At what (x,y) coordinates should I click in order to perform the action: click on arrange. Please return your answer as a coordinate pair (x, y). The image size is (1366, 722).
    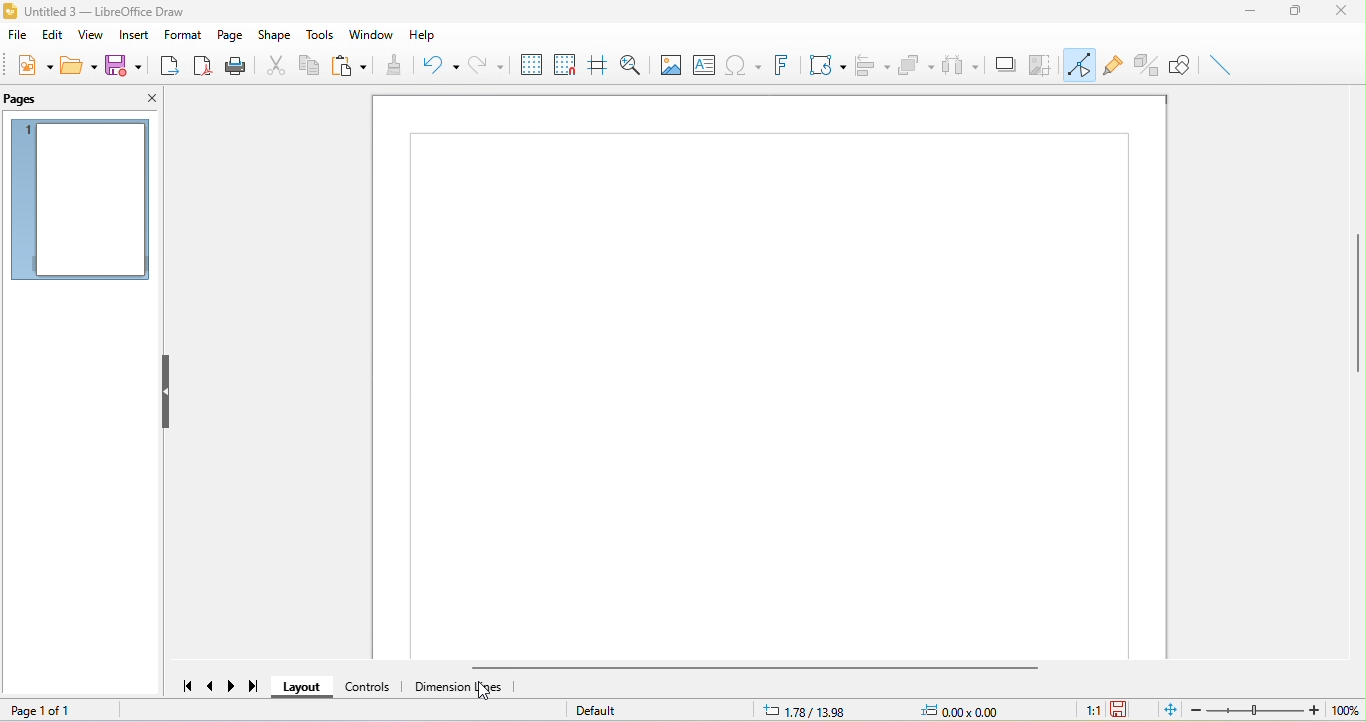
    Looking at the image, I should click on (917, 64).